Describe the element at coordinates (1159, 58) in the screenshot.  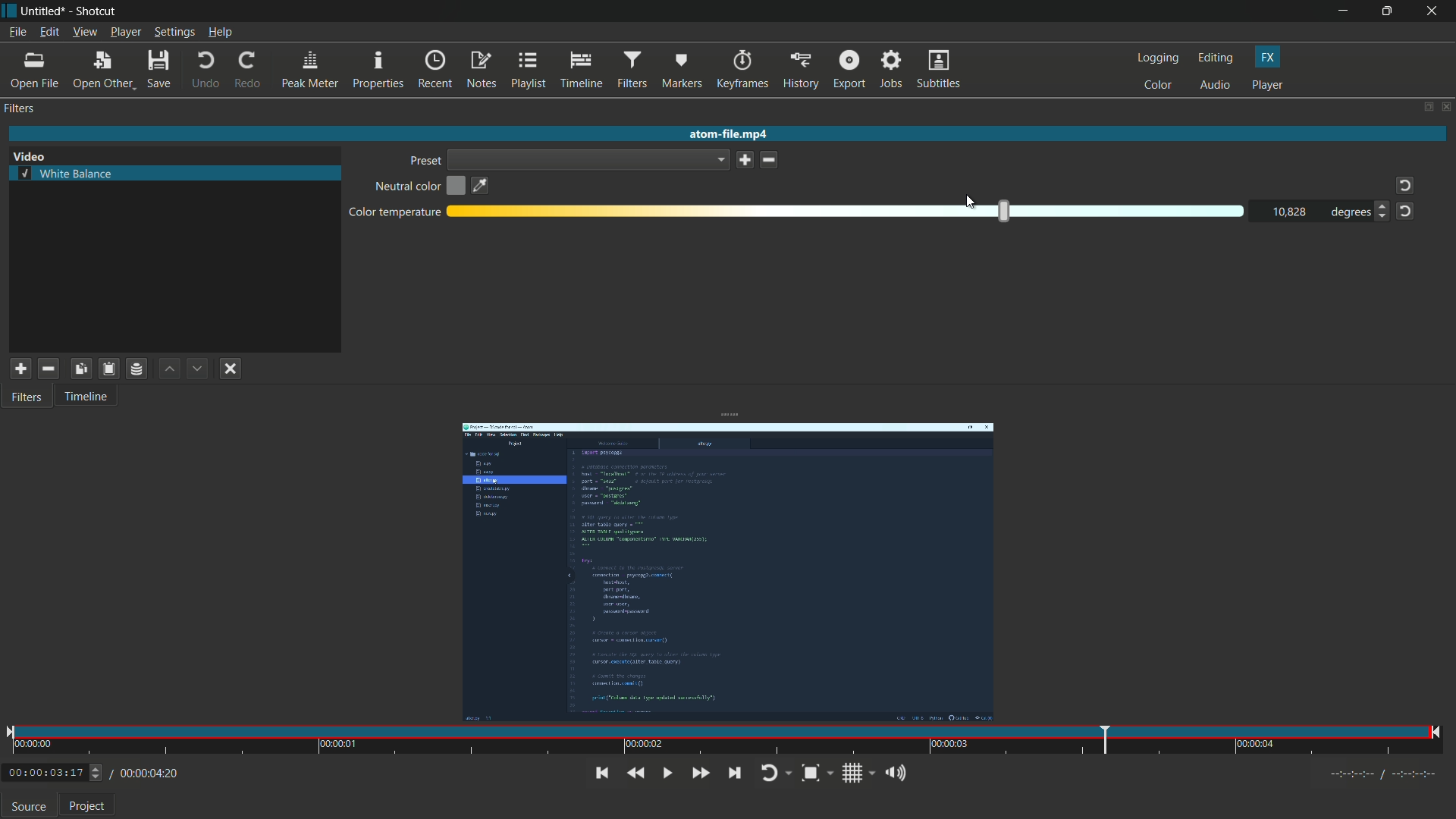
I see `logging` at that location.